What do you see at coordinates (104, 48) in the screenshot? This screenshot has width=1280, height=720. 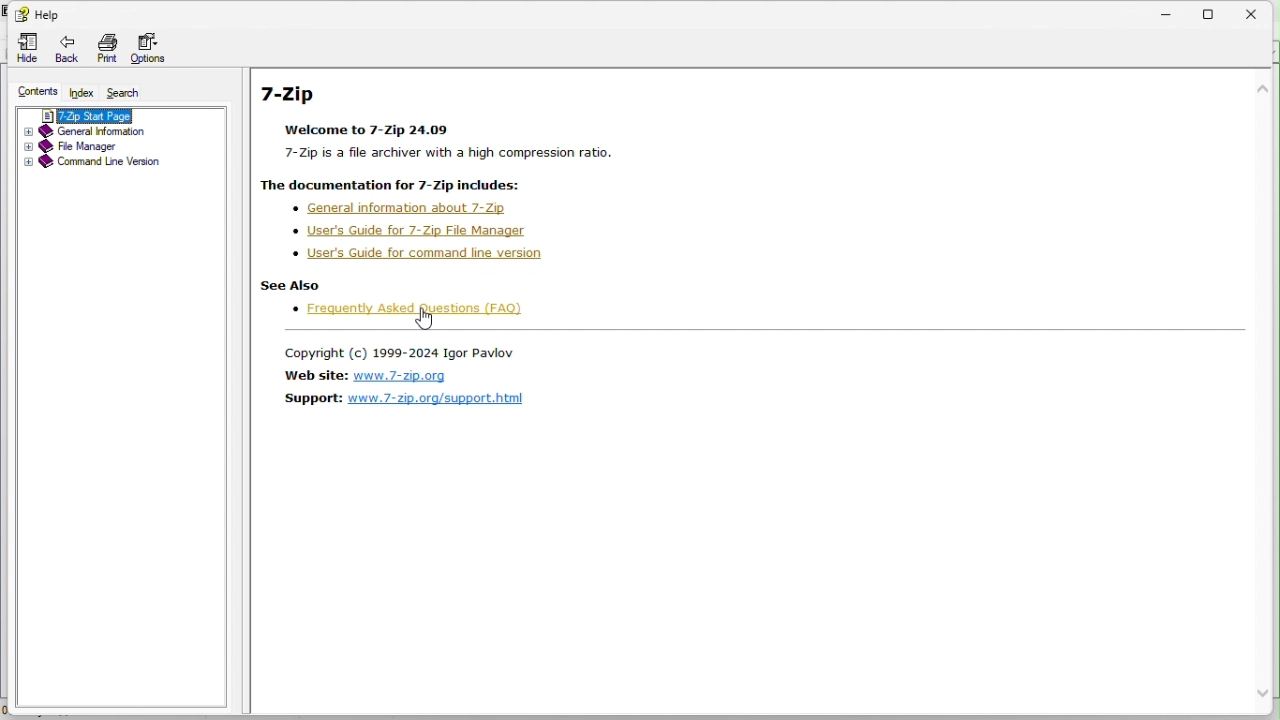 I see `print` at bounding box center [104, 48].